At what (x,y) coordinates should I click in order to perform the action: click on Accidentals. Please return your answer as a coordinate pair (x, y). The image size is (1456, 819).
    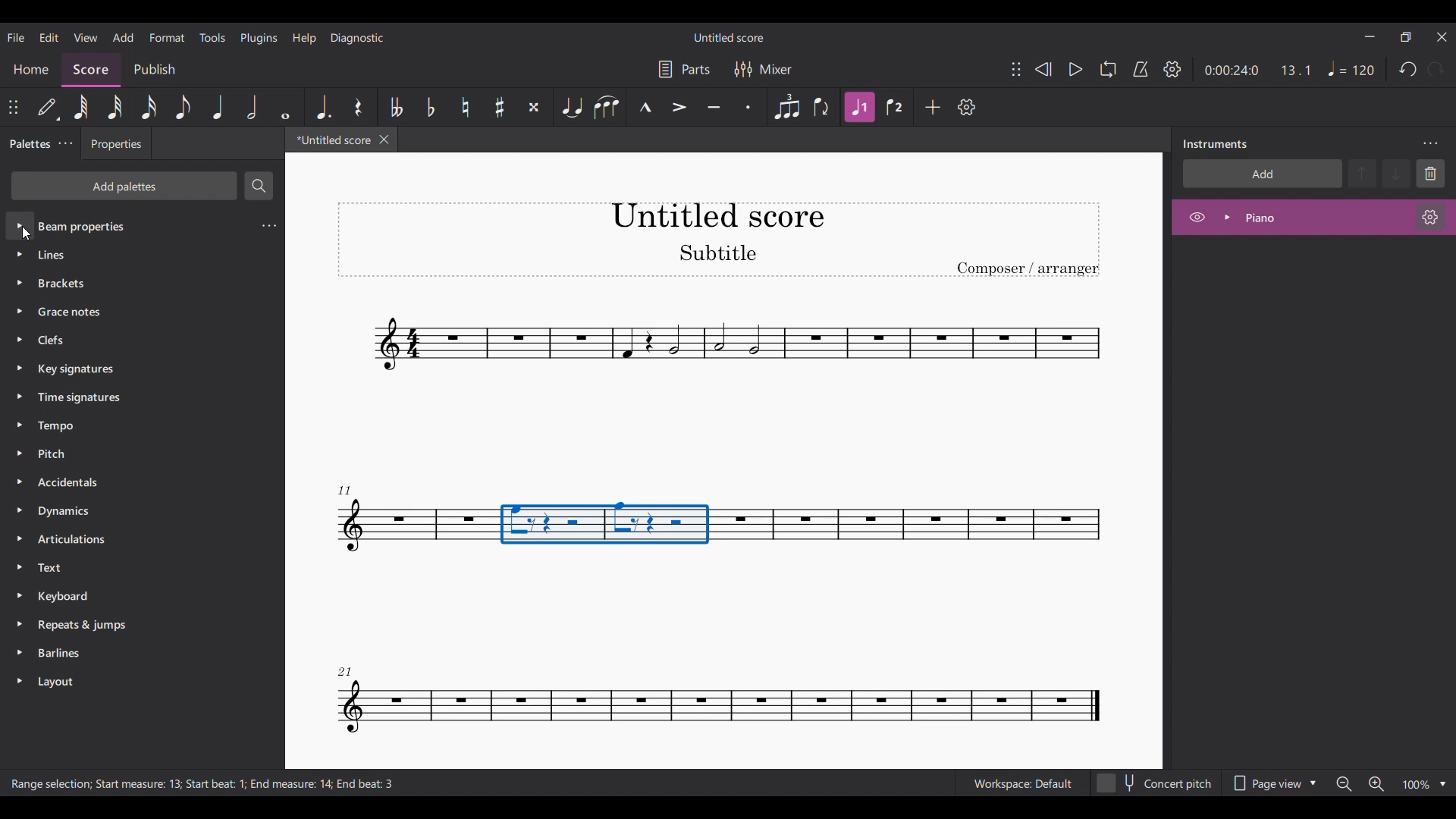
    Looking at the image, I should click on (127, 483).